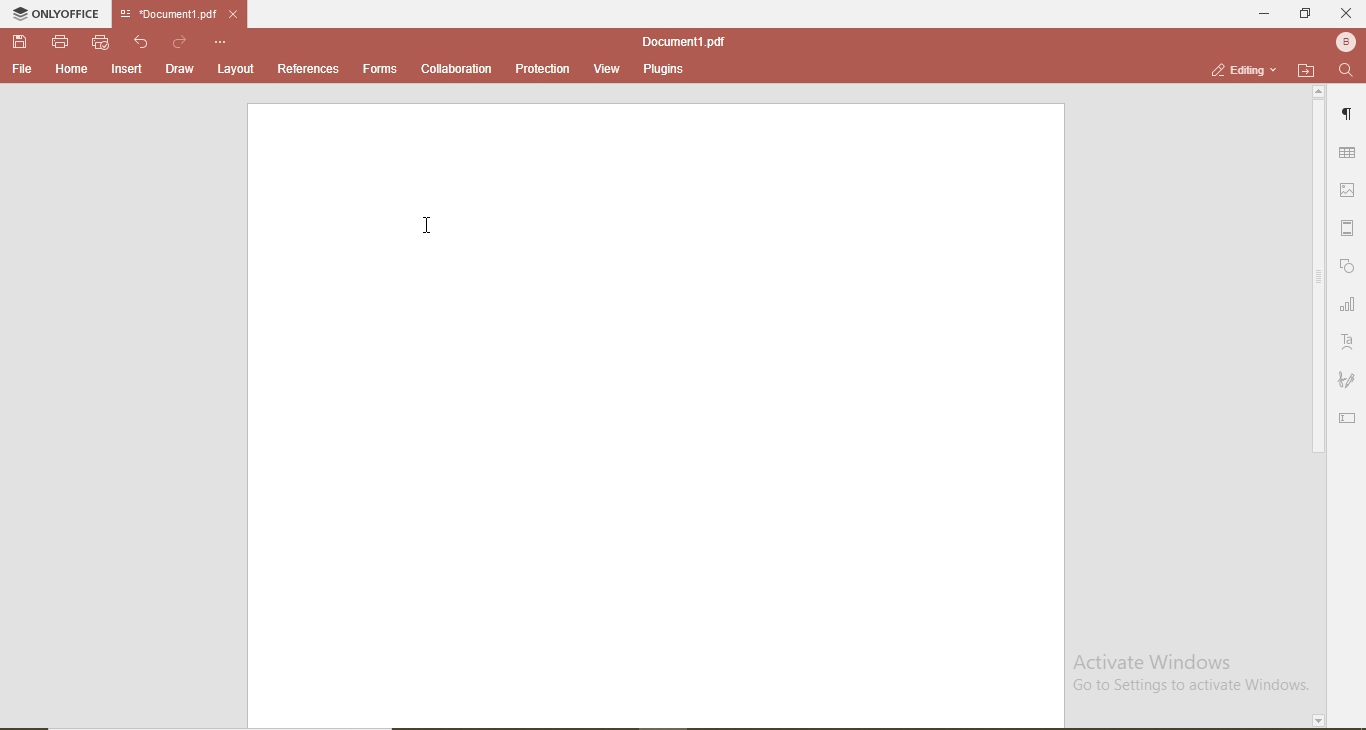 Image resolution: width=1366 pixels, height=730 pixels. What do you see at coordinates (1351, 269) in the screenshot?
I see `shape` at bounding box center [1351, 269].